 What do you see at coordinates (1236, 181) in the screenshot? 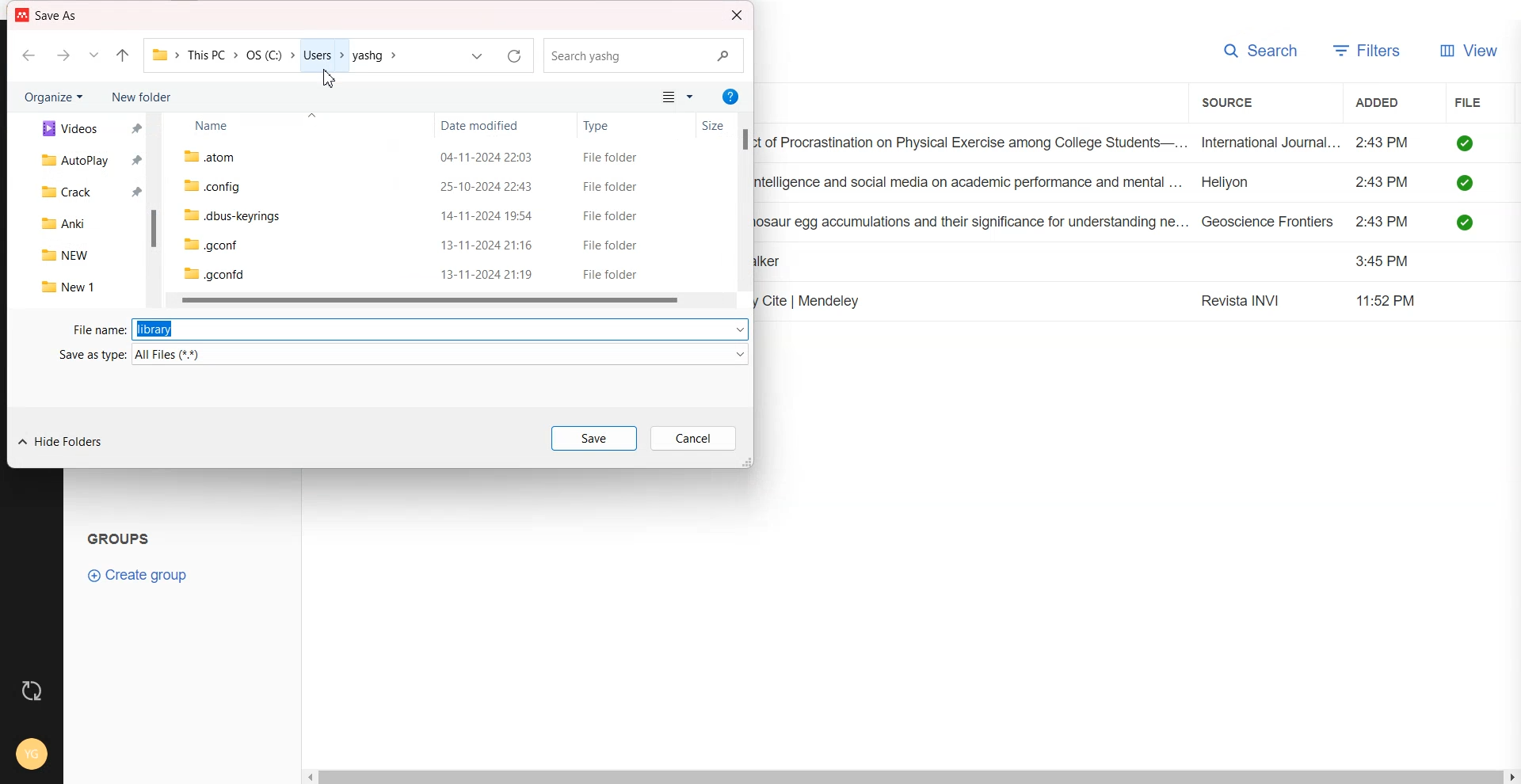
I see `Heliyon` at bounding box center [1236, 181].